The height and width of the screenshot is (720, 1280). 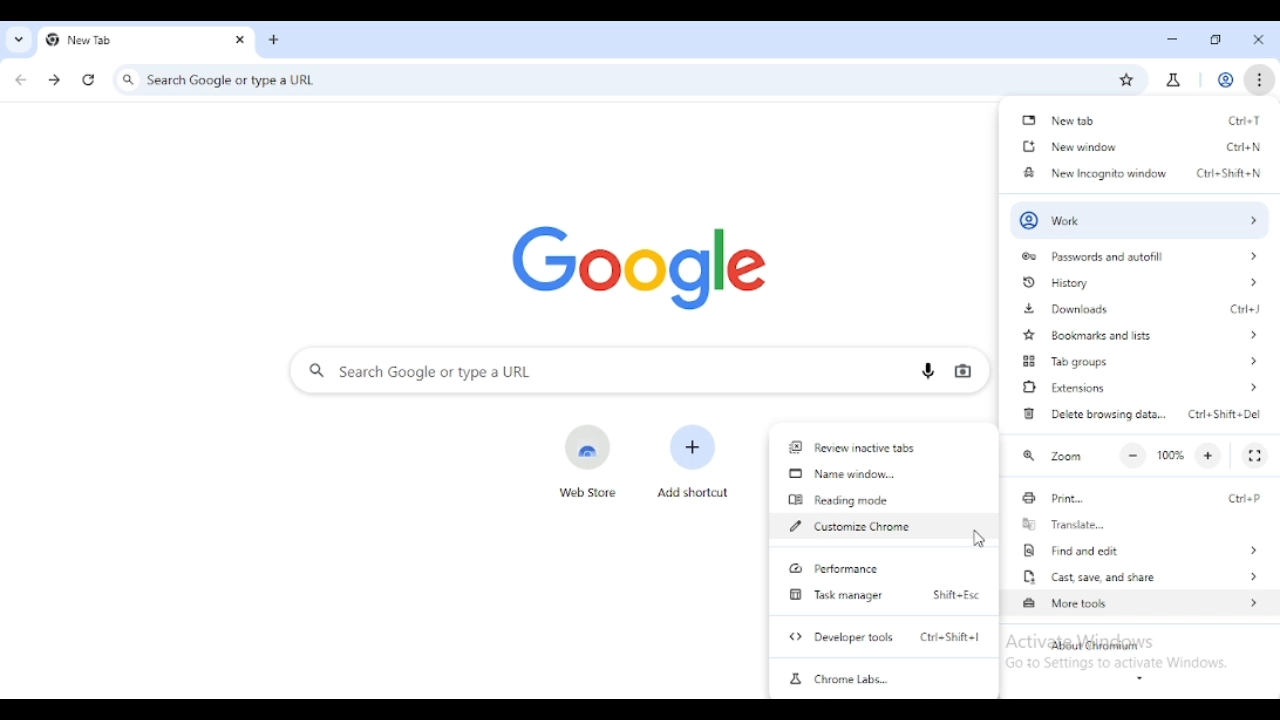 I want to click on tab groups, so click(x=1139, y=362).